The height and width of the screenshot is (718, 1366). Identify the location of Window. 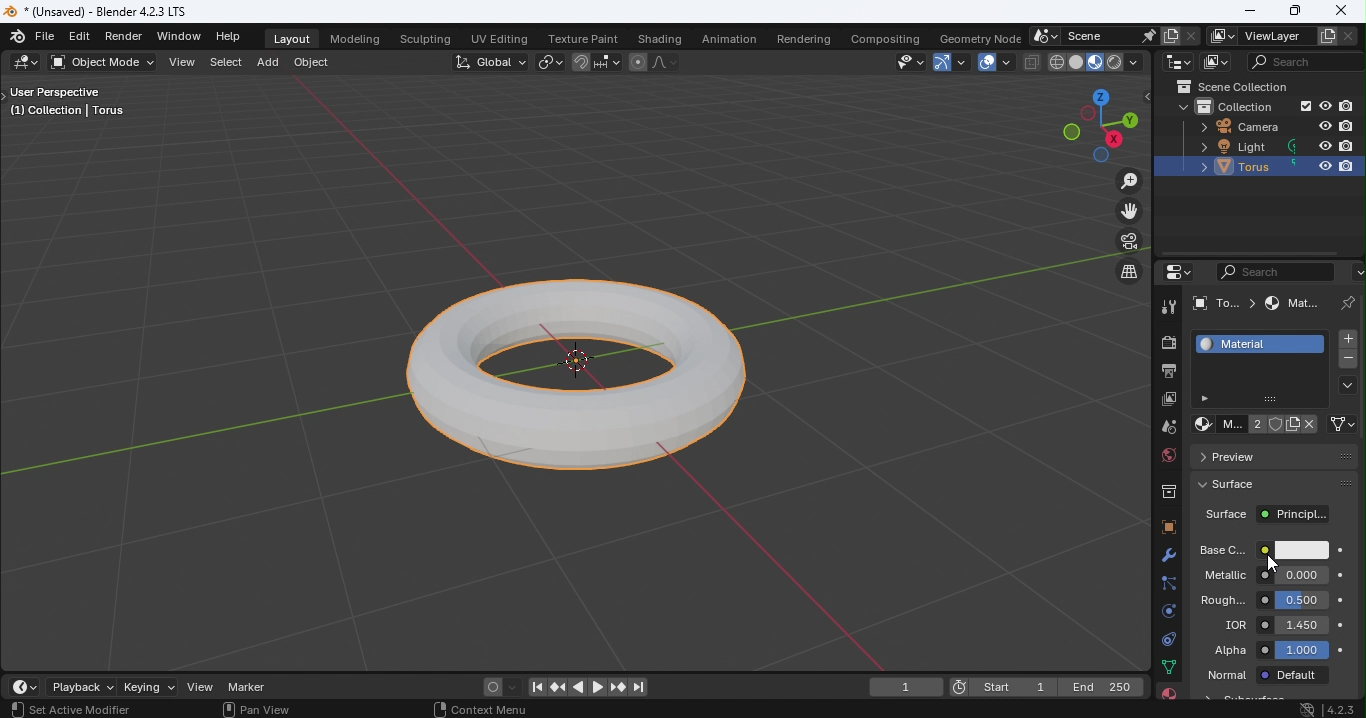
(181, 38).